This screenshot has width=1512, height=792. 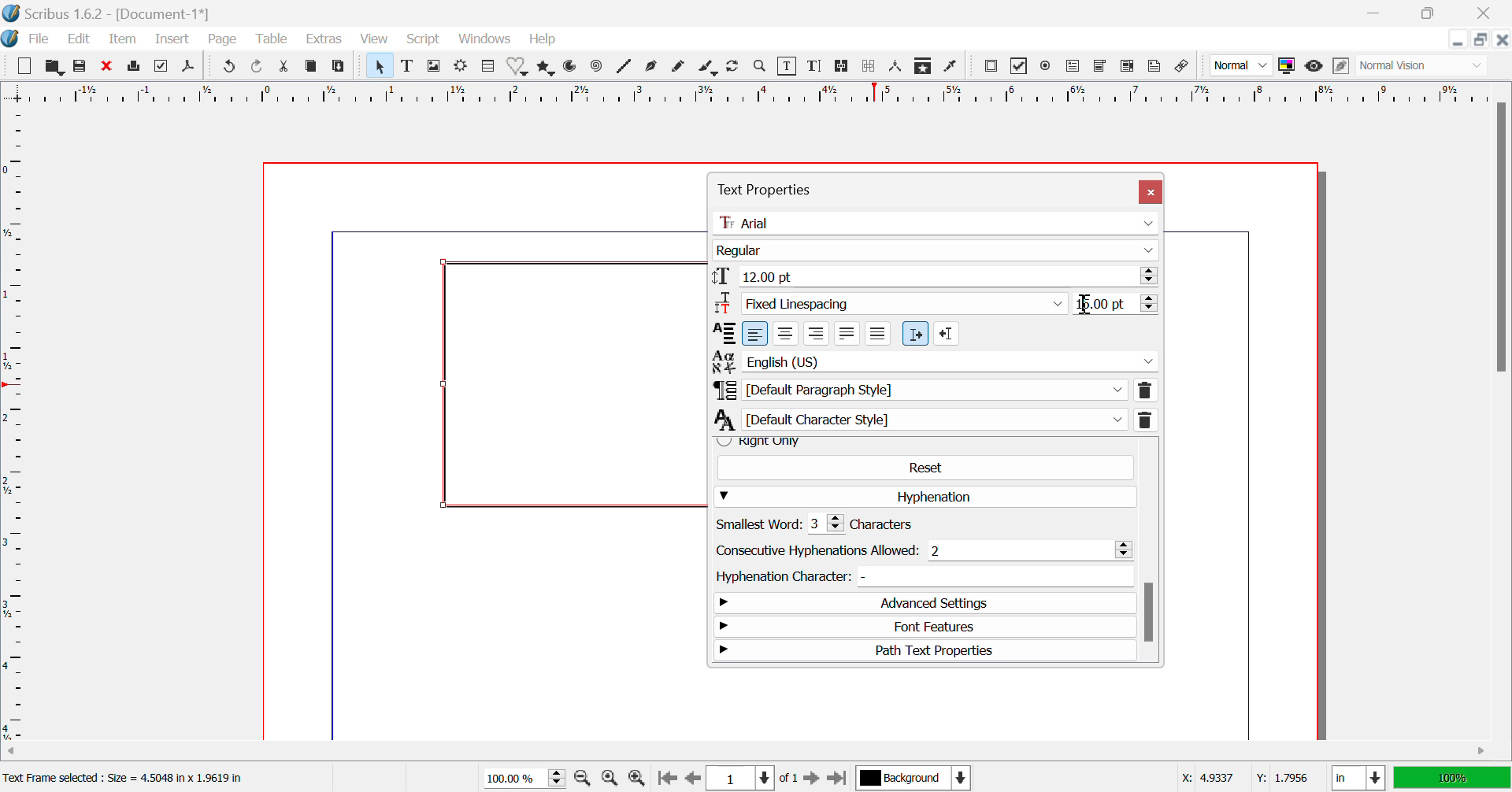 What do you see at coordinates (636, 779) in the screenshot?
I see `Zoom In` at bounding box center [636, 779].